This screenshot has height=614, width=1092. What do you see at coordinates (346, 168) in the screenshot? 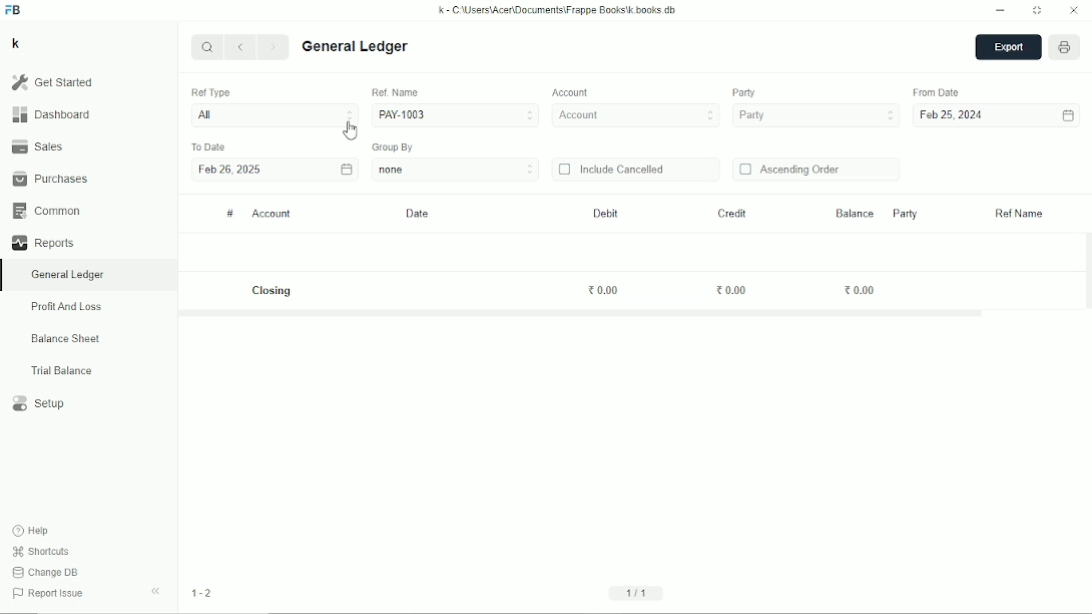
I see `Calendar` at bounding box center [346, 168].